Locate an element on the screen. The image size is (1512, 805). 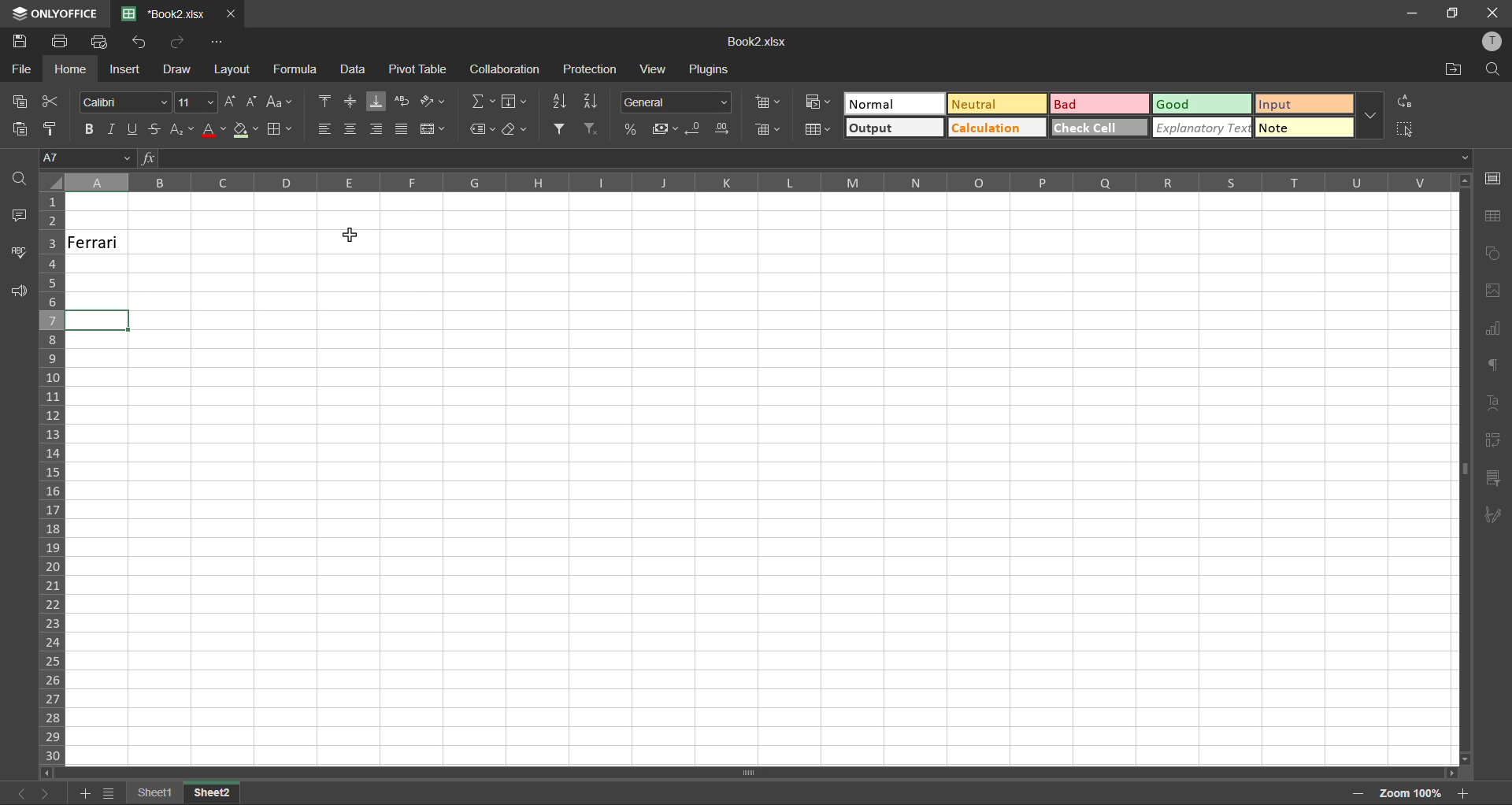
text is located at coordinates (1495, 402).